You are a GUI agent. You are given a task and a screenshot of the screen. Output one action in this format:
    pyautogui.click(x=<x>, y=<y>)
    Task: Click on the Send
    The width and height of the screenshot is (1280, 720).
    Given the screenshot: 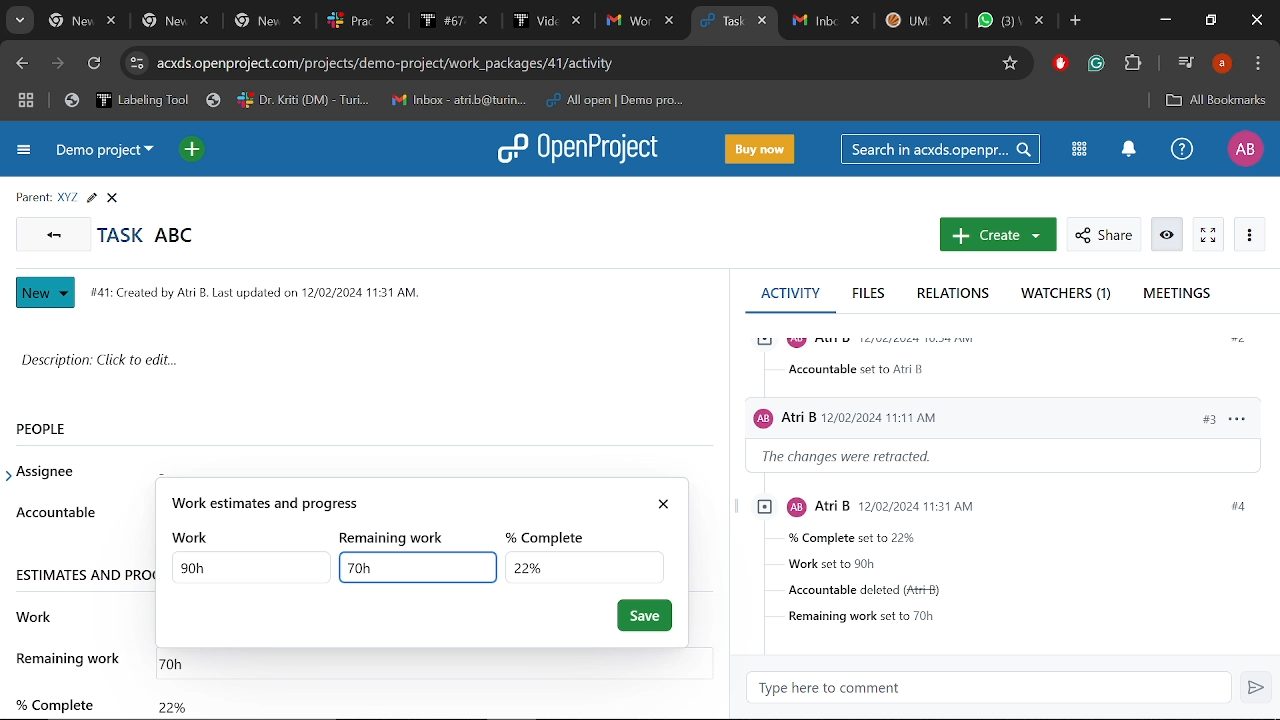 What is the action you would take?
    pyautogui.click(x=1258, y=689)
    